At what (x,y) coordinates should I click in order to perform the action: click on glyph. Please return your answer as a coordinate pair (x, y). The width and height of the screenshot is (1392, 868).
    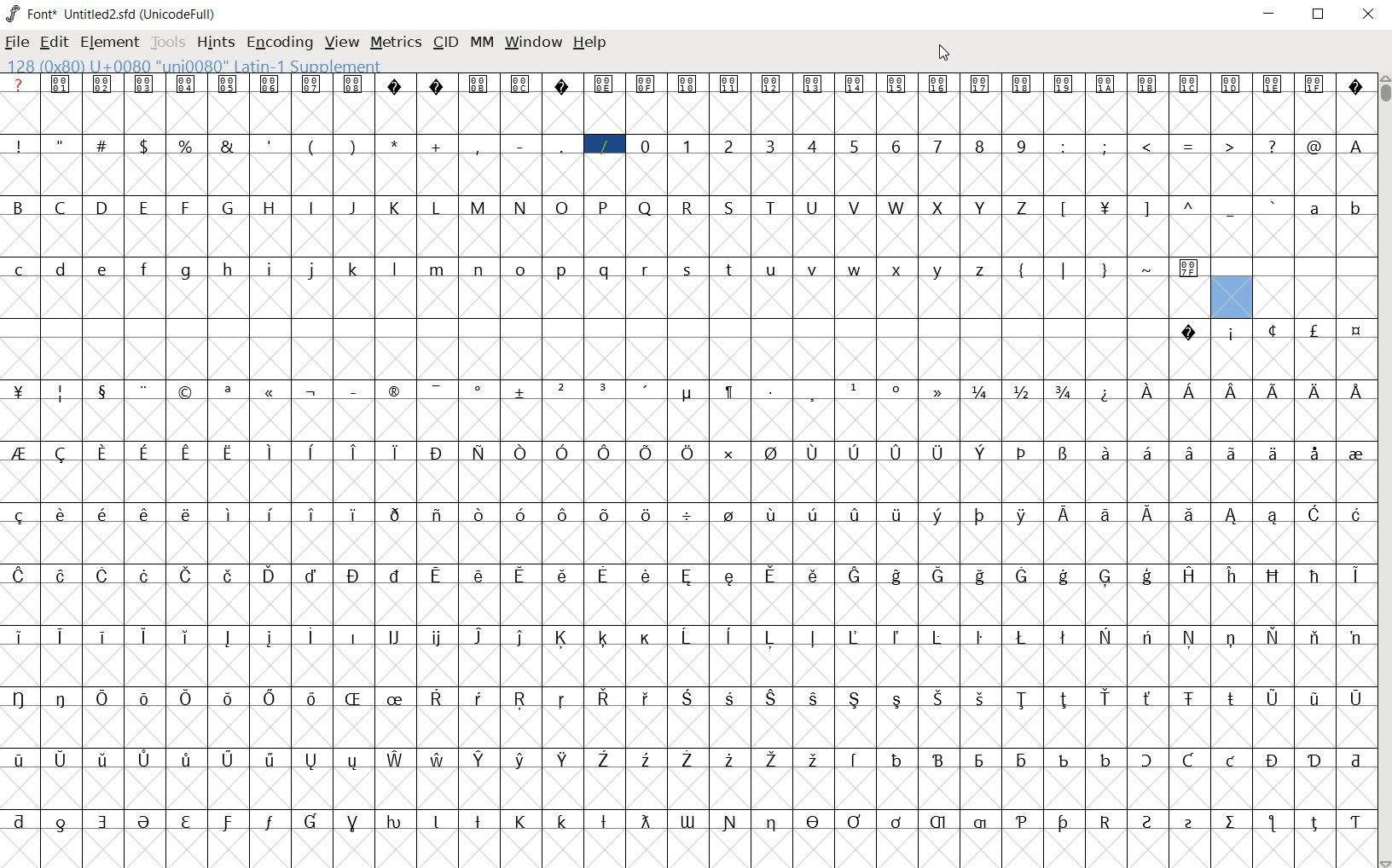
    Looking at the image, I should click on (728, 85).